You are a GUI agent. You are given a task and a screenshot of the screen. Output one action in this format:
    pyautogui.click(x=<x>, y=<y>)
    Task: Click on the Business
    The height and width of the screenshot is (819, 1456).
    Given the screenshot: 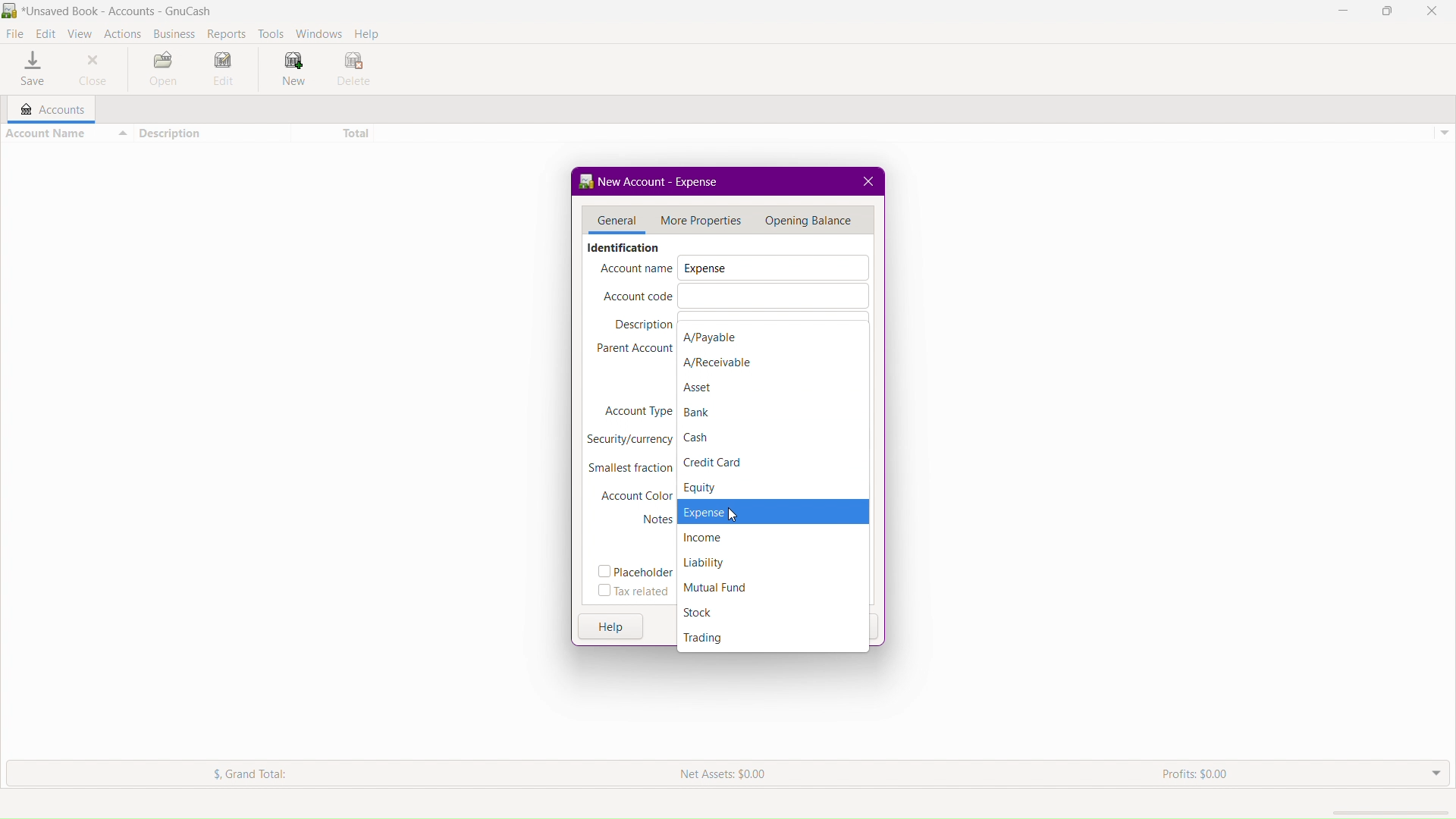 What is the action you would take?
    pyautogui.click(x=171, y=30)
    